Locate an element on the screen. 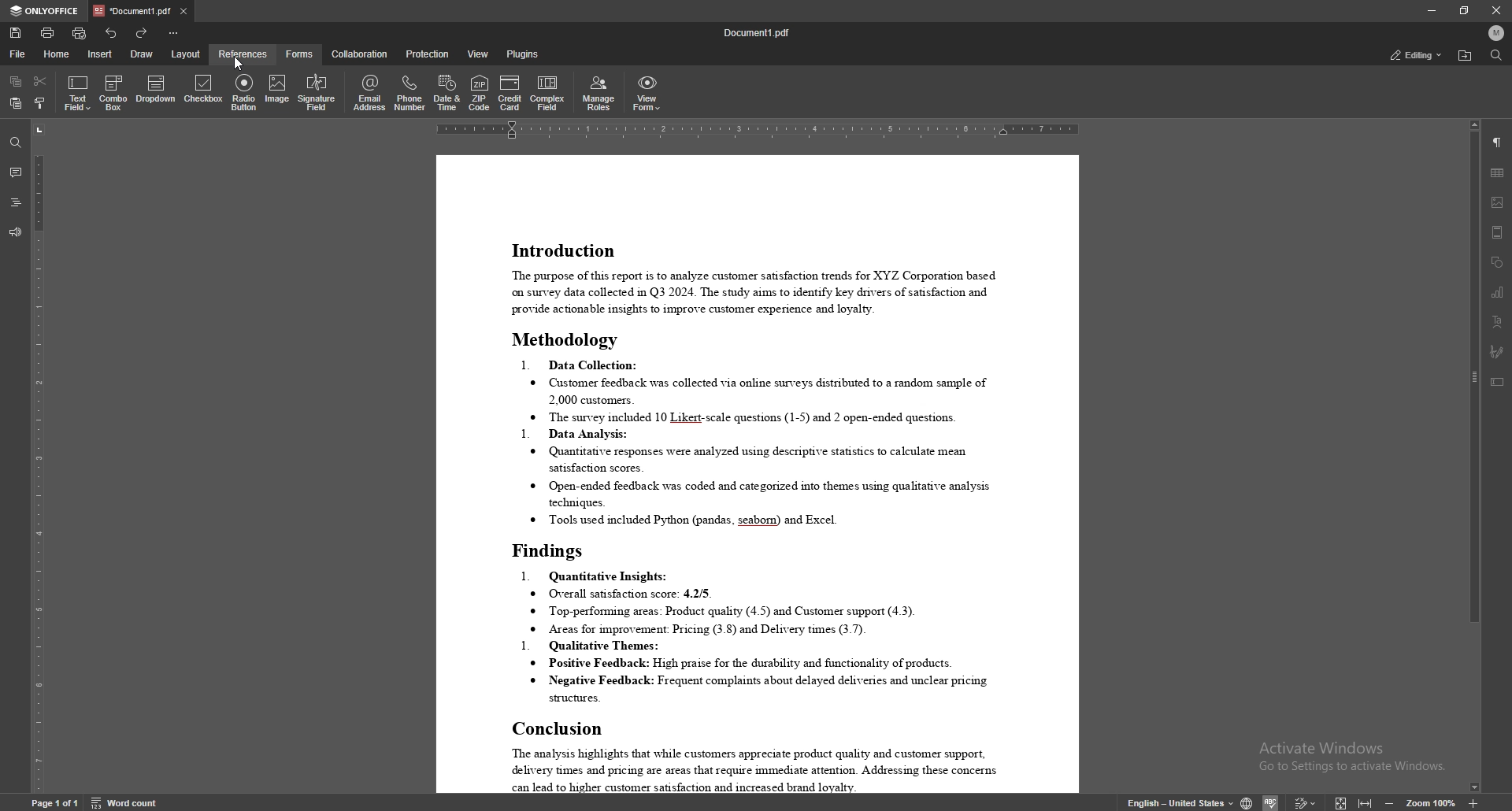 The width and height of the screenshot is (1512, 811). email address is located at coordinates (371, 92).